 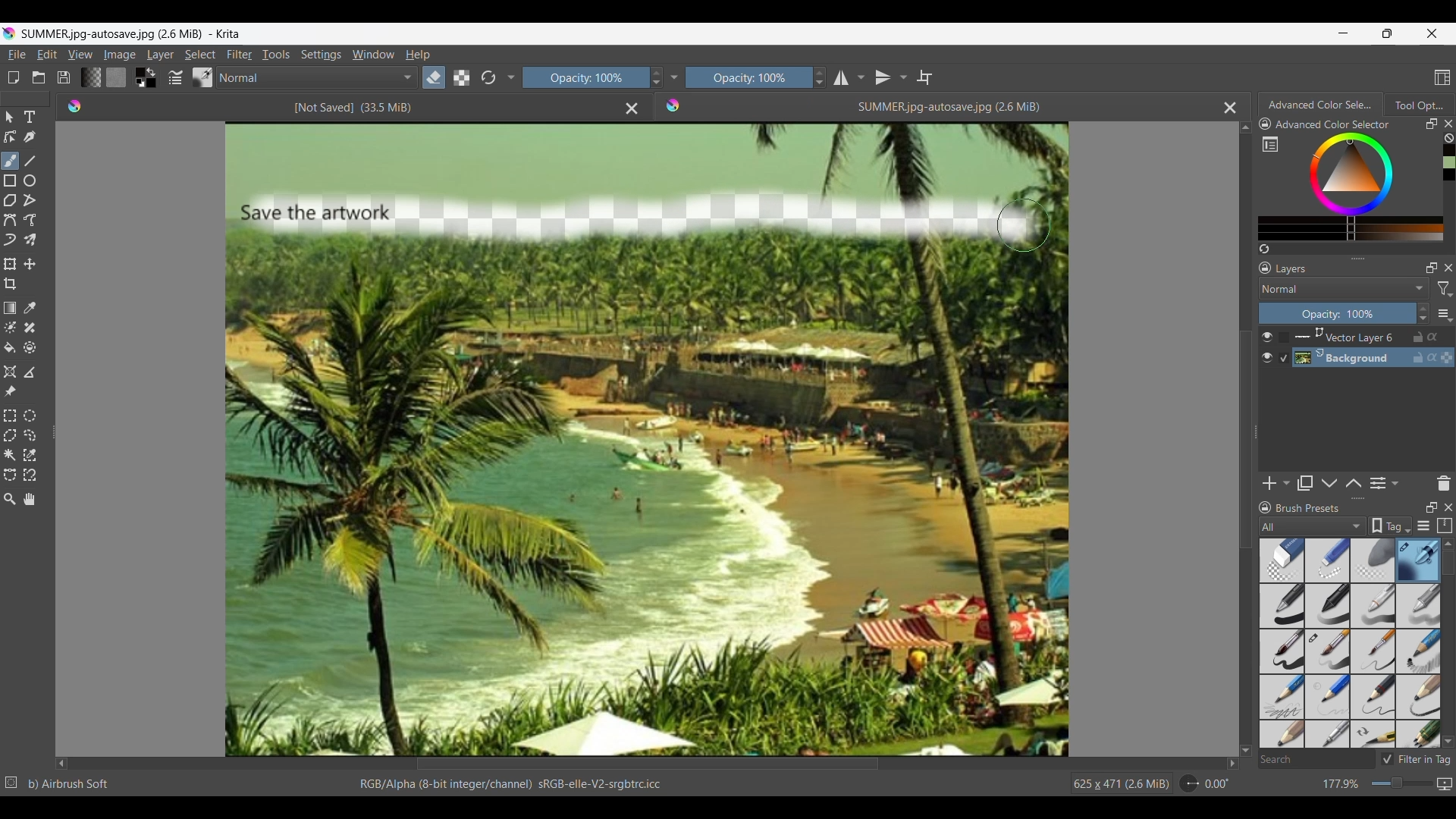 I want to click on 0.00, so click(x=1217, y=784).